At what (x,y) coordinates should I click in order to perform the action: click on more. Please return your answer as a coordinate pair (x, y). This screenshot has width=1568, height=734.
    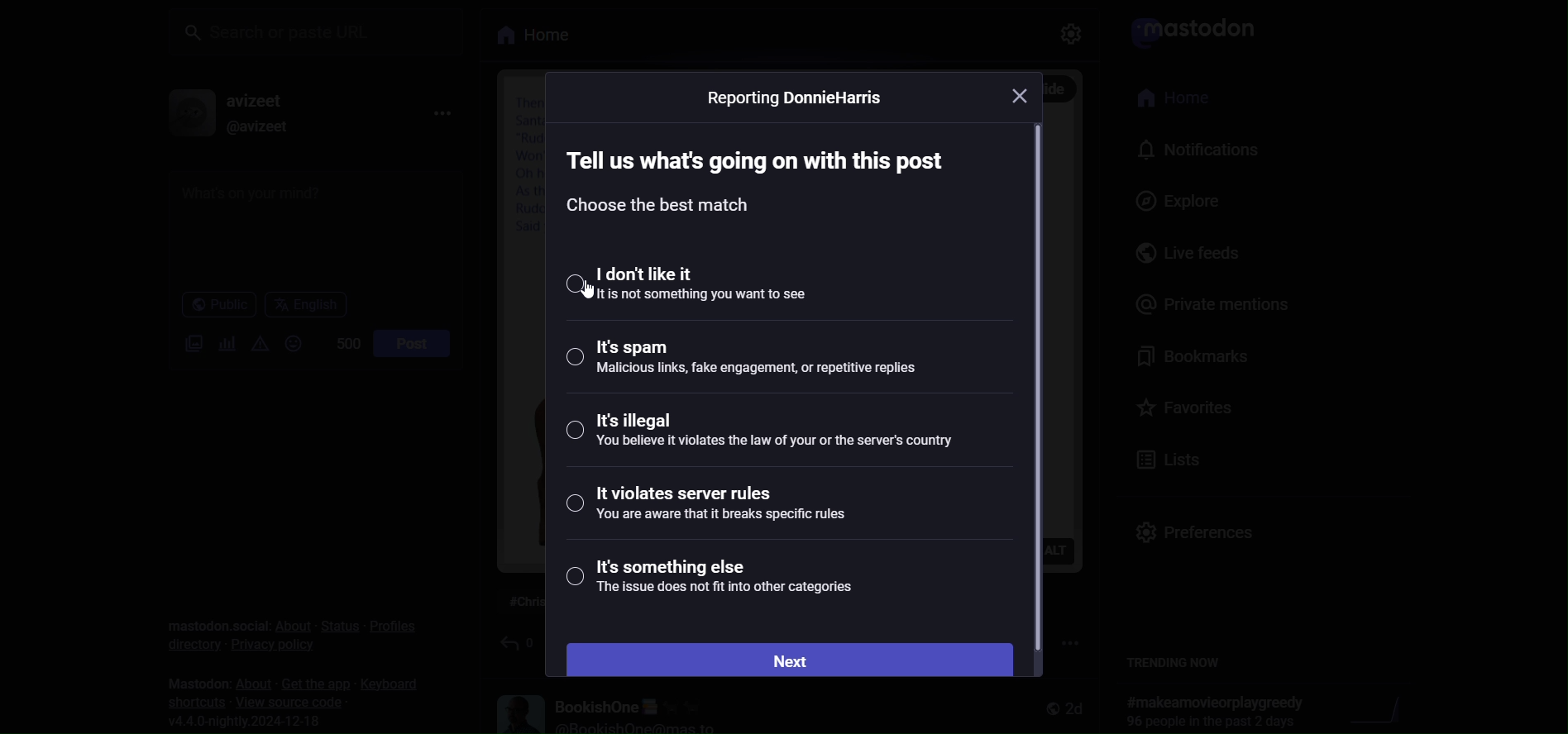
    Looking at the image, I should click on (443, 111).